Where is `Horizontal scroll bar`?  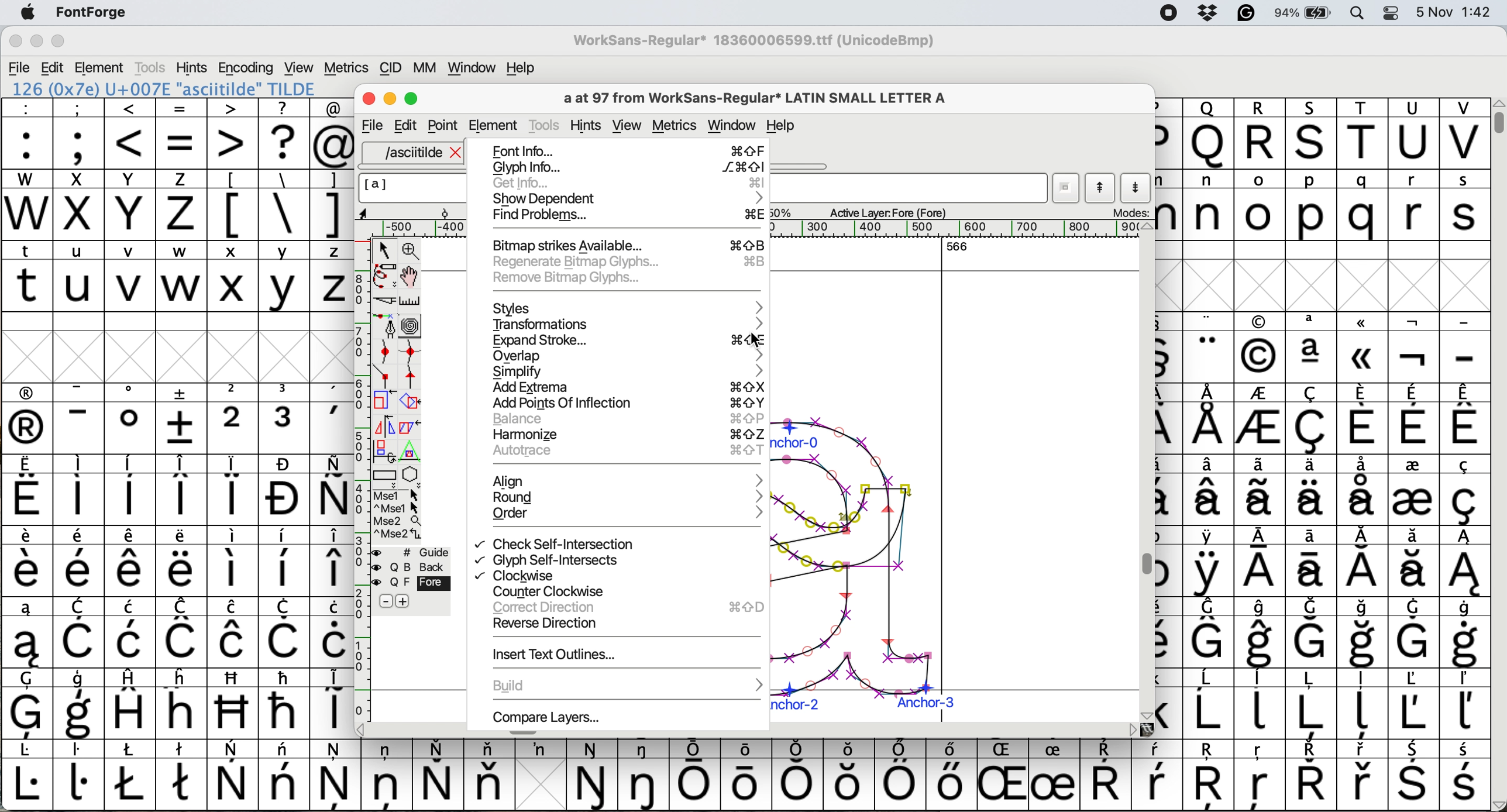 Horizontal scroll bar is located at coordinates (525, 732).